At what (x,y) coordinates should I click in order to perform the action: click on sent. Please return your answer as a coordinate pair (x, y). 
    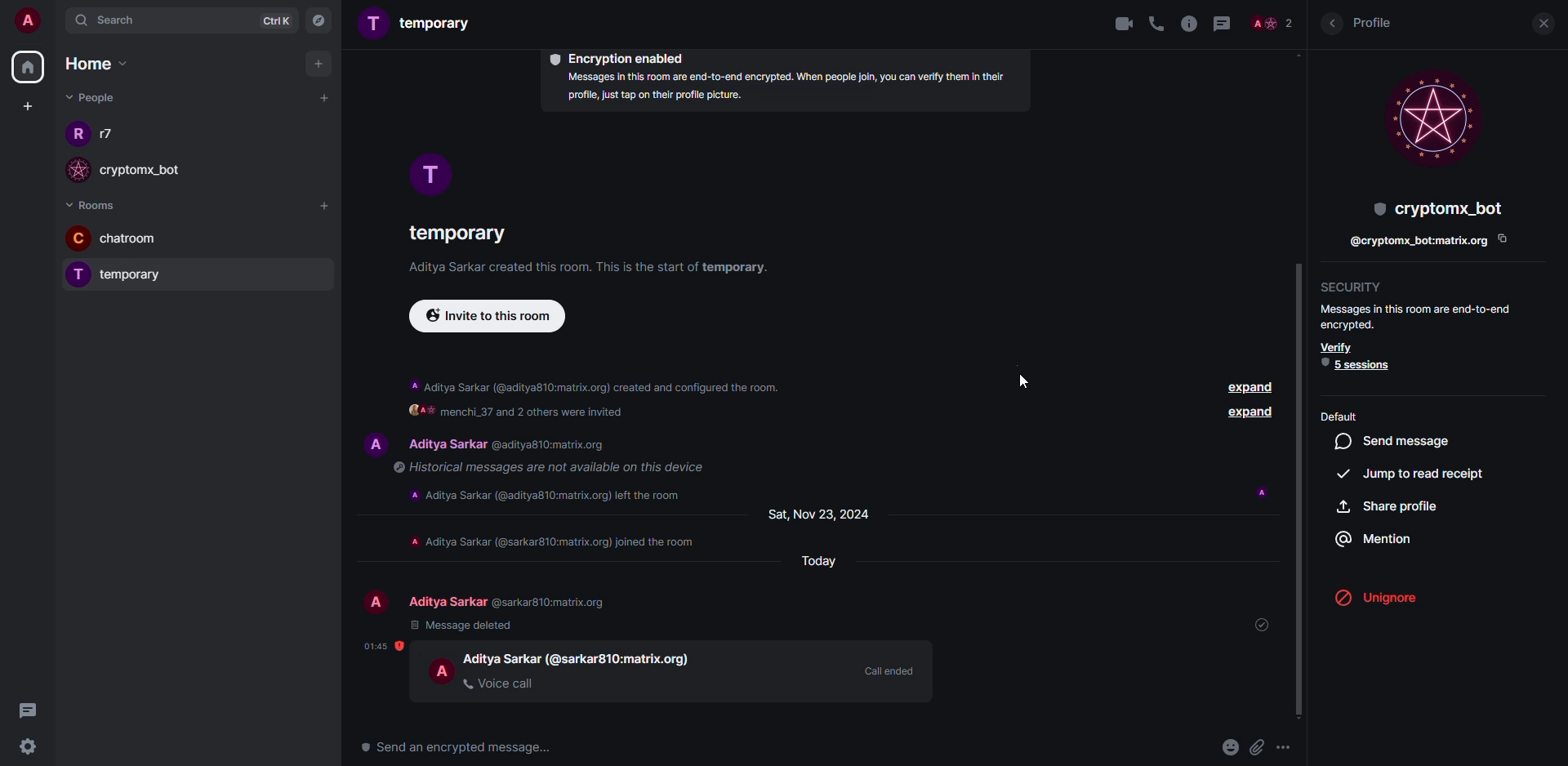
    Looking at the image, I should click on (1267, 624).